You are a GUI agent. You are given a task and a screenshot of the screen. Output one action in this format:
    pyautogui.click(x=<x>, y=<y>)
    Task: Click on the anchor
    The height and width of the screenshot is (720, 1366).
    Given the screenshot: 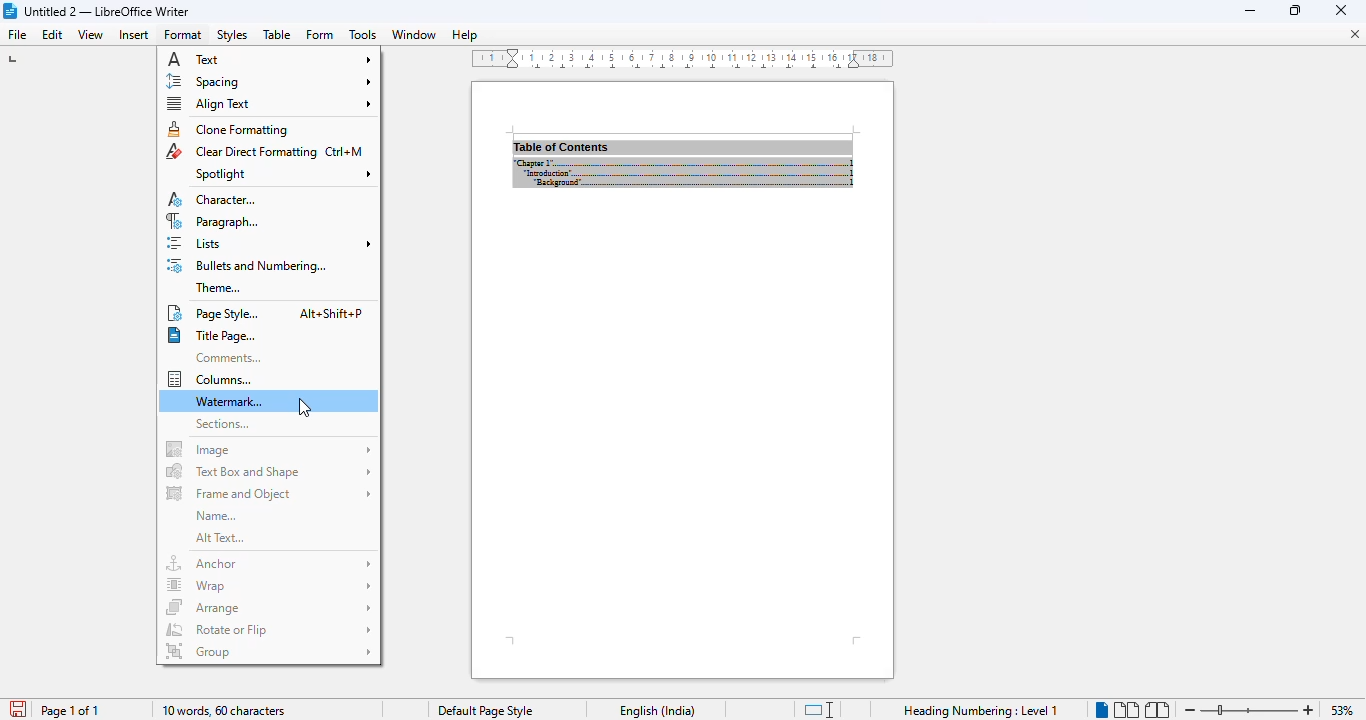 What is the action you would take?
    pyautogui.click(x=268, y=564)
    